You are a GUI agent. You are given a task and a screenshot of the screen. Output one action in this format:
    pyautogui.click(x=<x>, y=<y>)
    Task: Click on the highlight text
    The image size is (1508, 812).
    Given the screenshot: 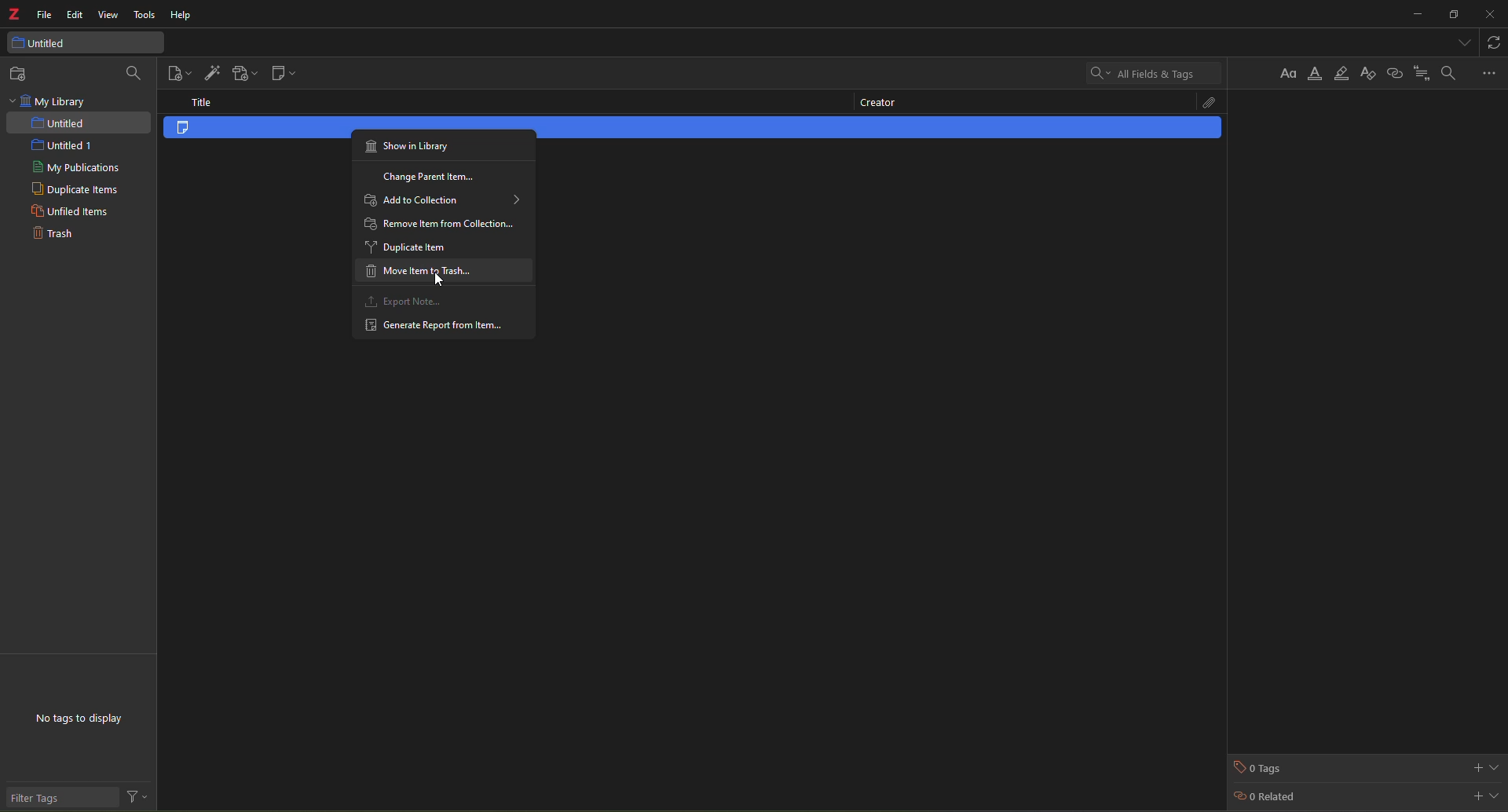 What is the action you would take?
    pyautogui.click(x=1341, y=75)
    